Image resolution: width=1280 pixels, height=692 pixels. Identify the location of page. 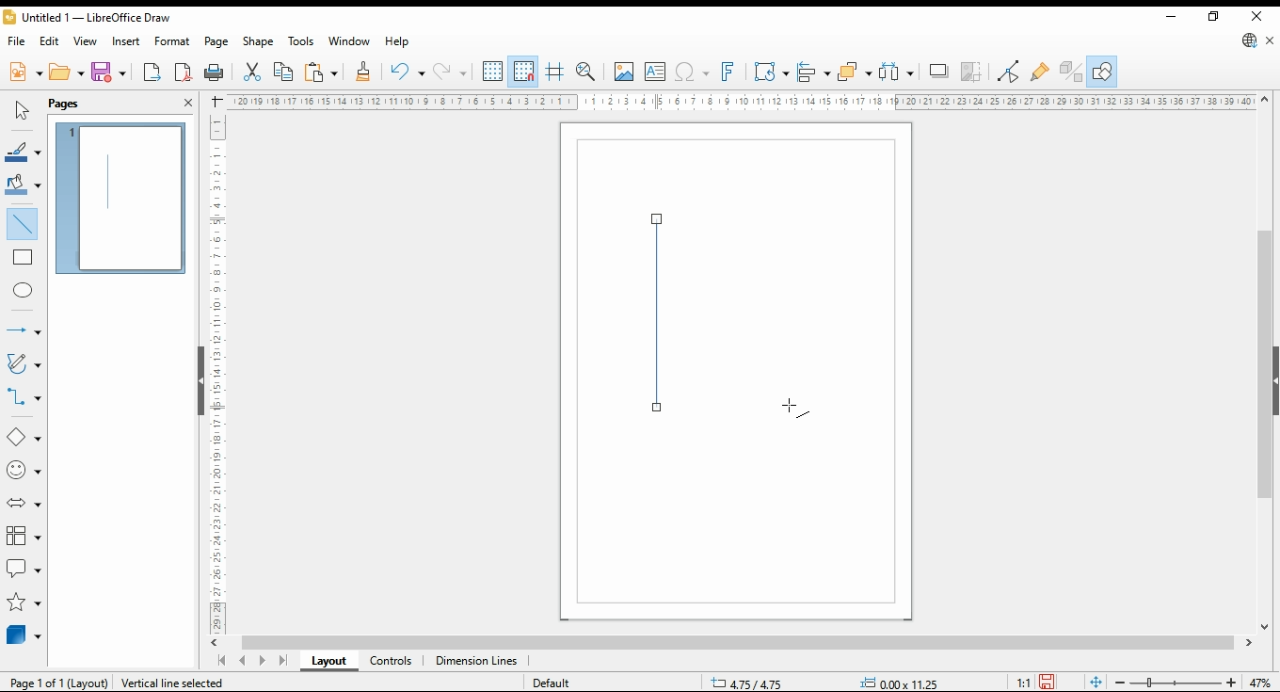
(218, 42).